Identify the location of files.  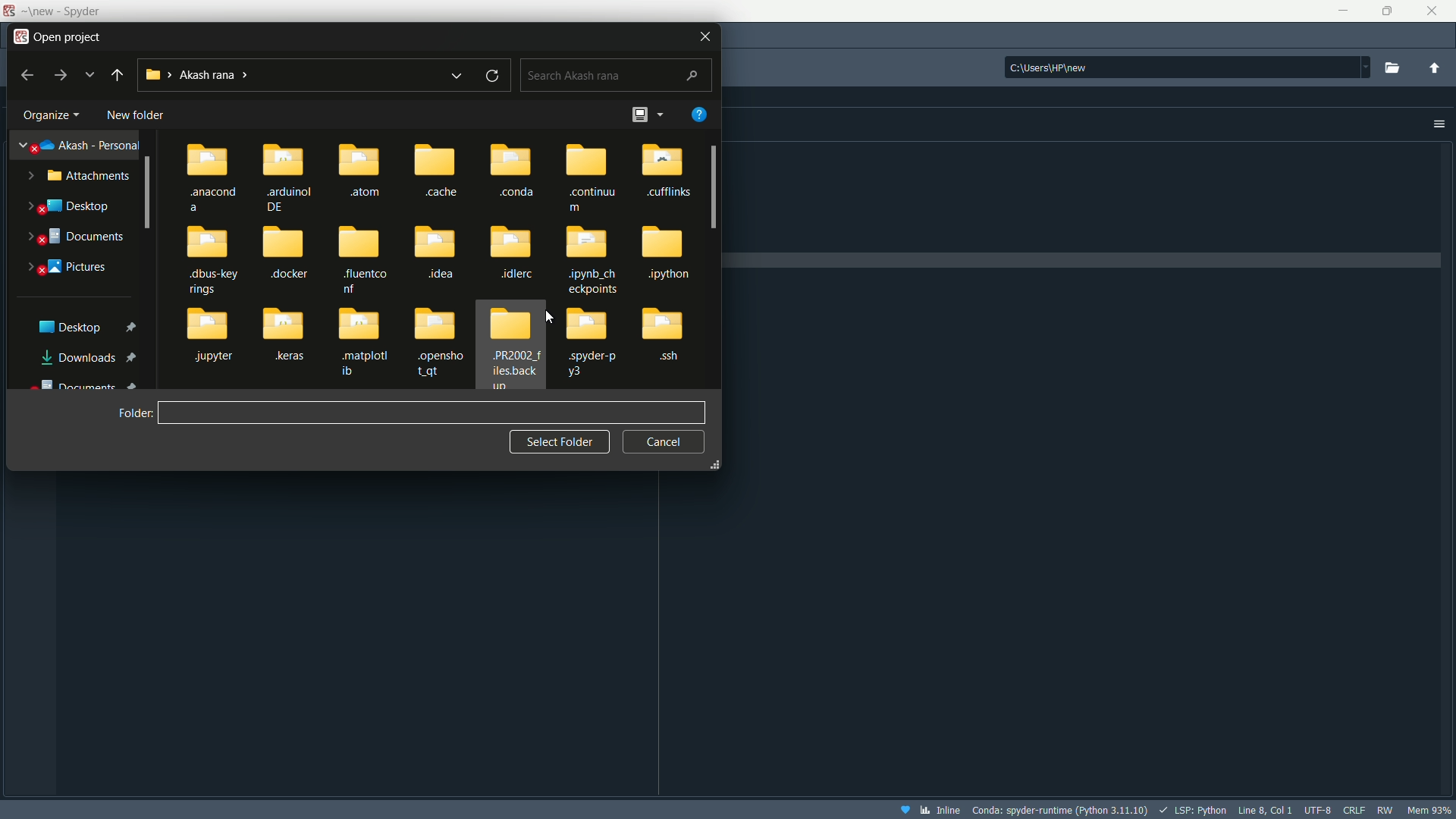
(435, 254).